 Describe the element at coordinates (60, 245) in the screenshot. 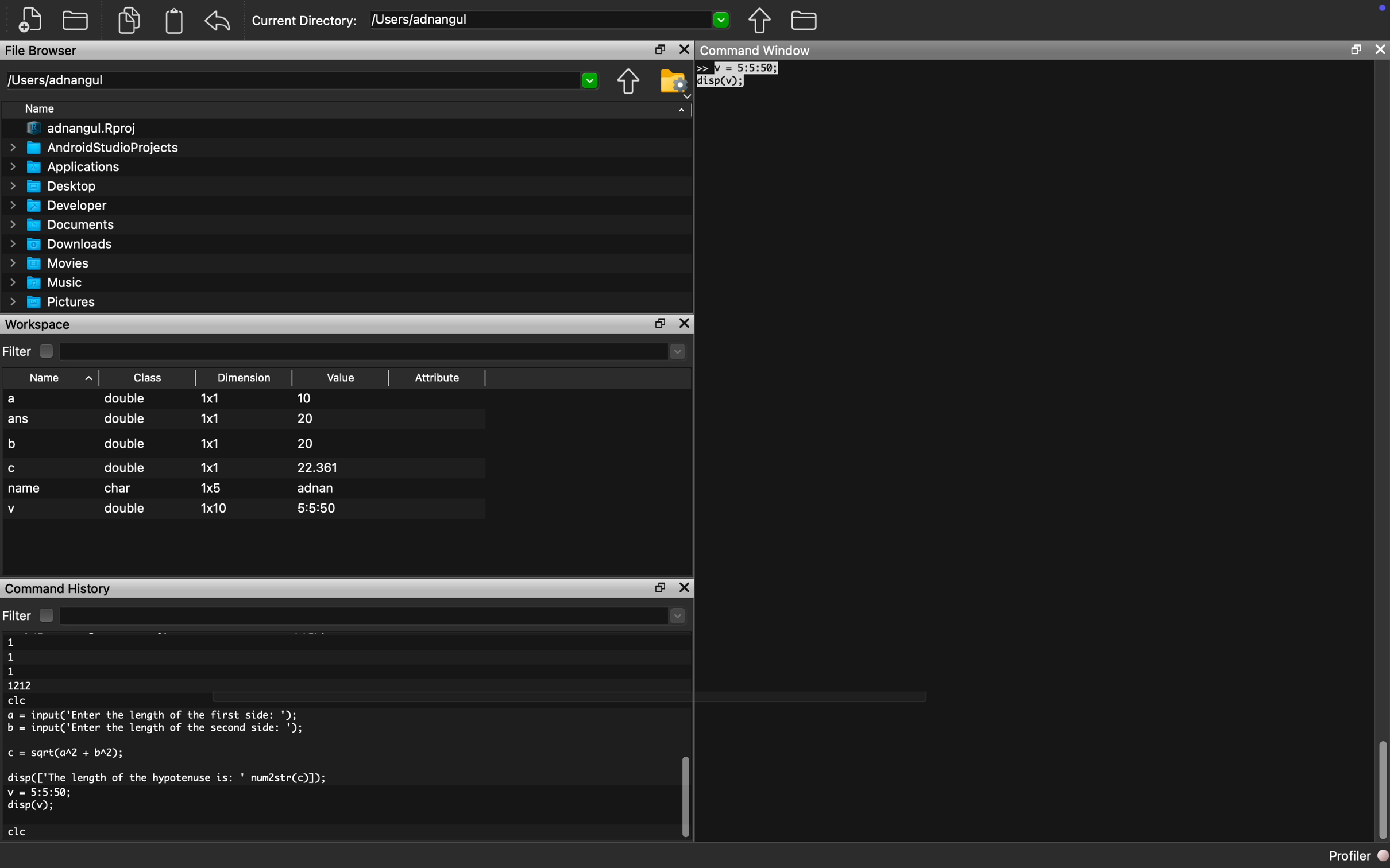

I see `Downloads` at that location.